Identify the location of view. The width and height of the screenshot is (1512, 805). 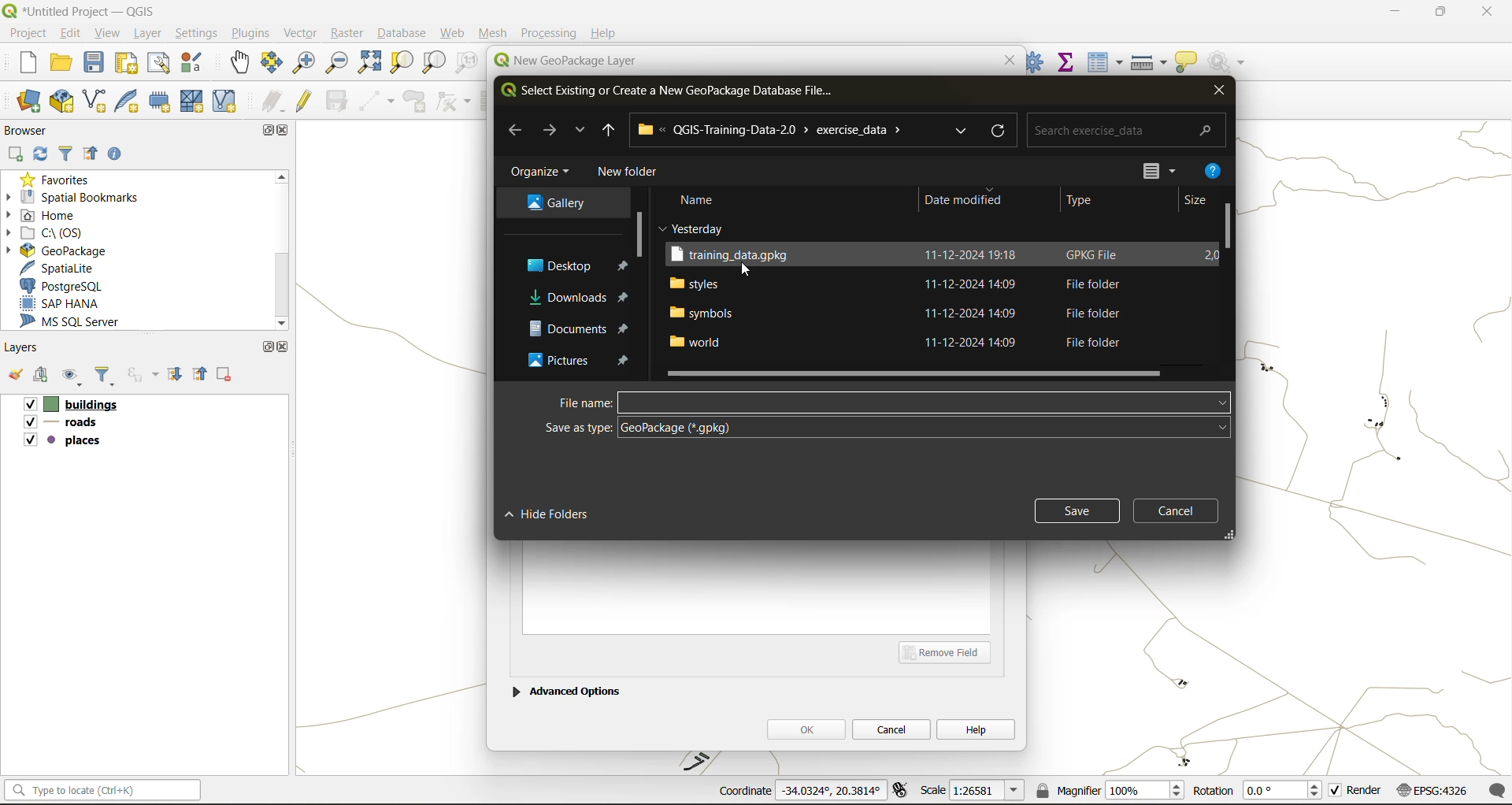
(109, 32).